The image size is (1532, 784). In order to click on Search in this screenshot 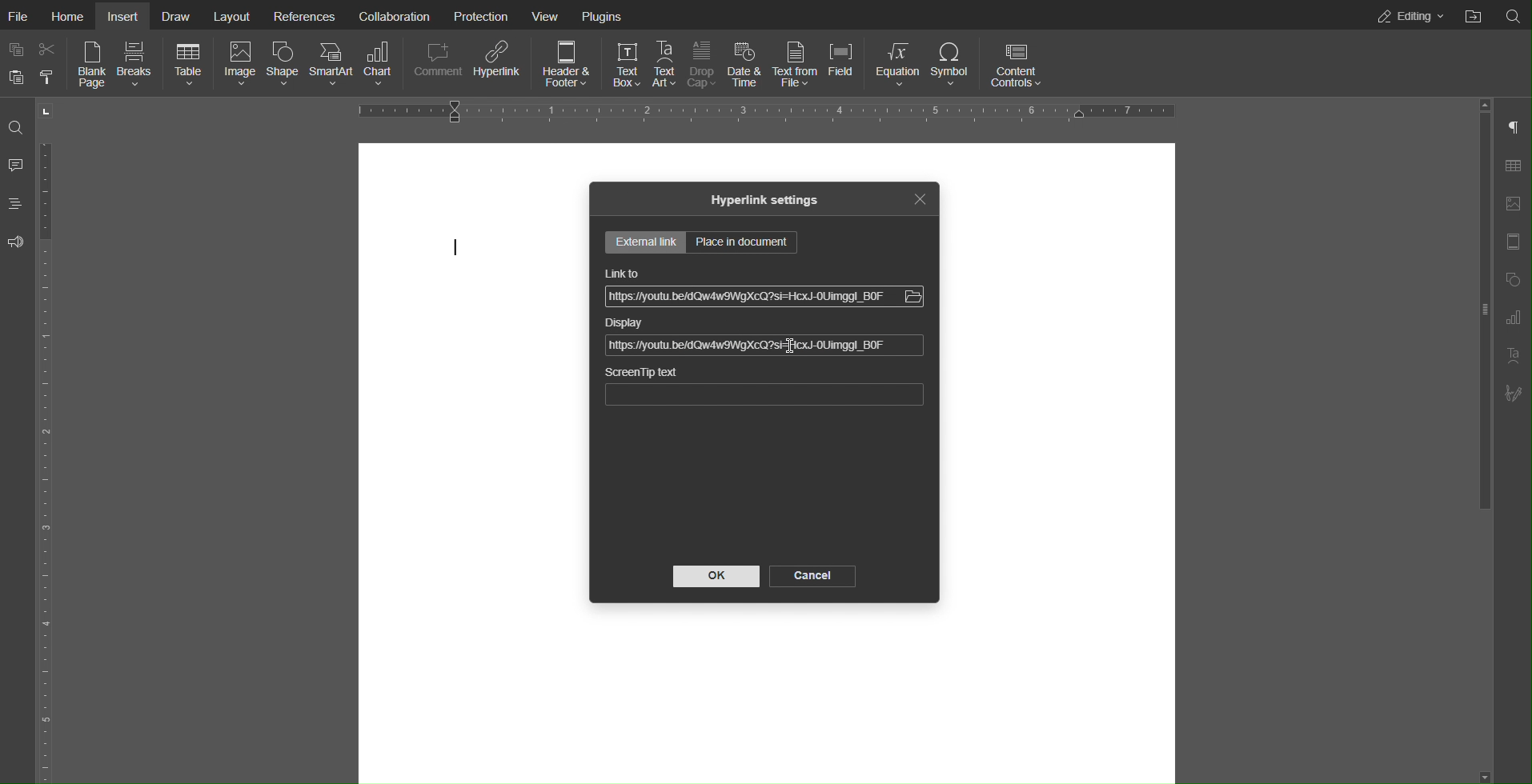, I will do `click(16, 126)`.